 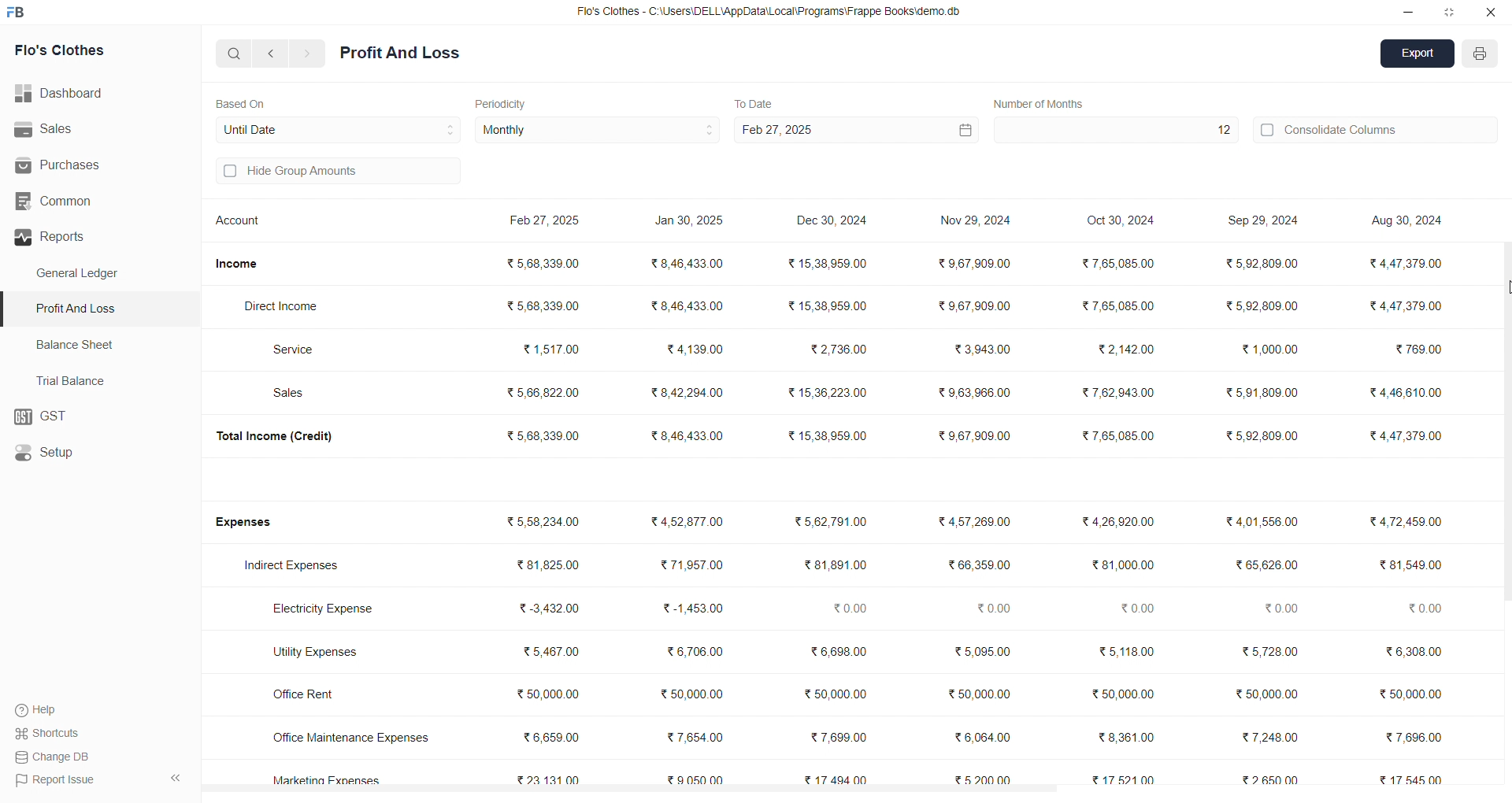 What do you see at coordinates (76, 165) in the screenshot?
I see `Purchases` at bounding box center [76, 165].